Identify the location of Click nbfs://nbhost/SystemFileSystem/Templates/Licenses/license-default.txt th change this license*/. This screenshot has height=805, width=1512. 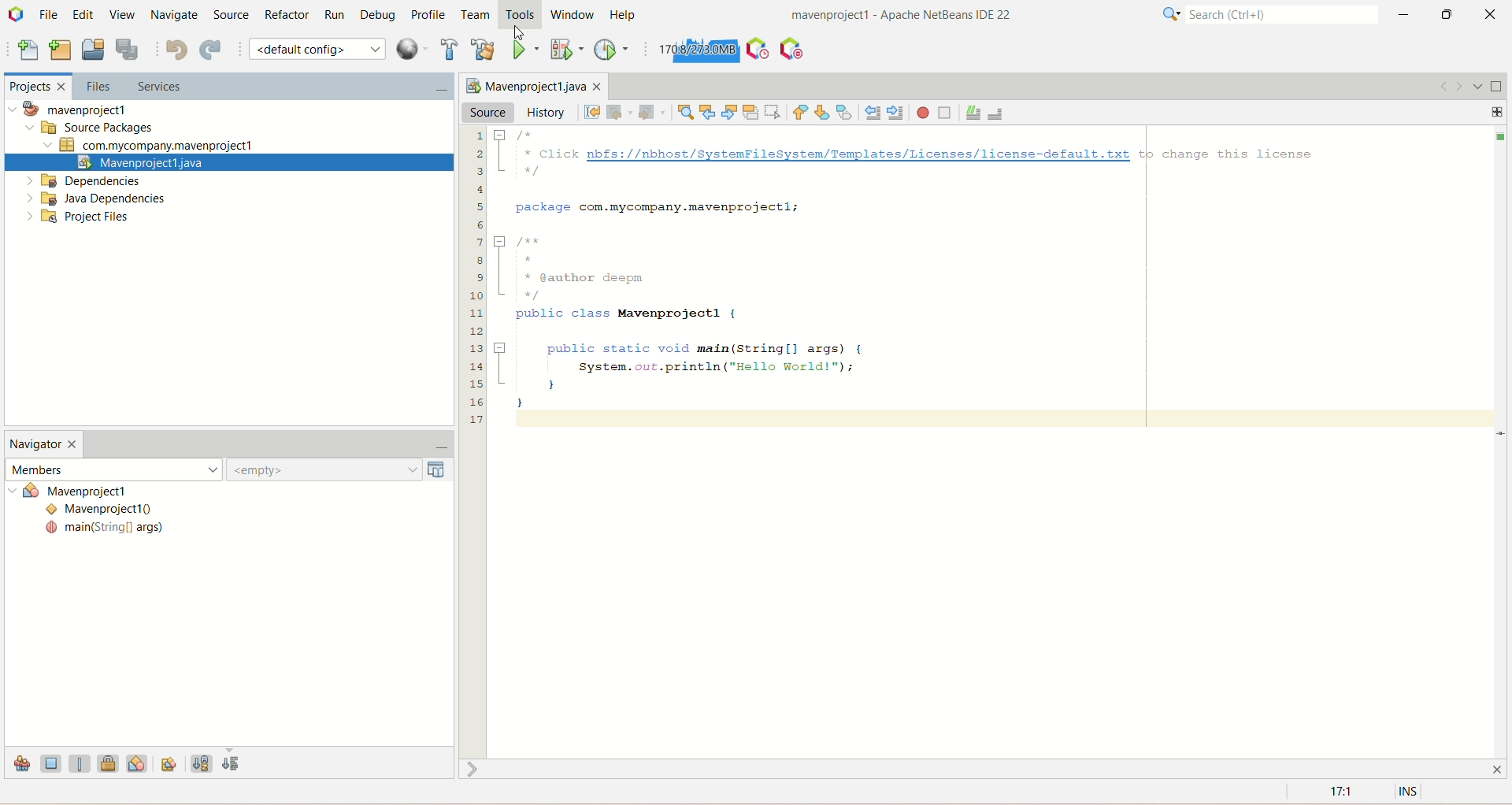
(910, 154).